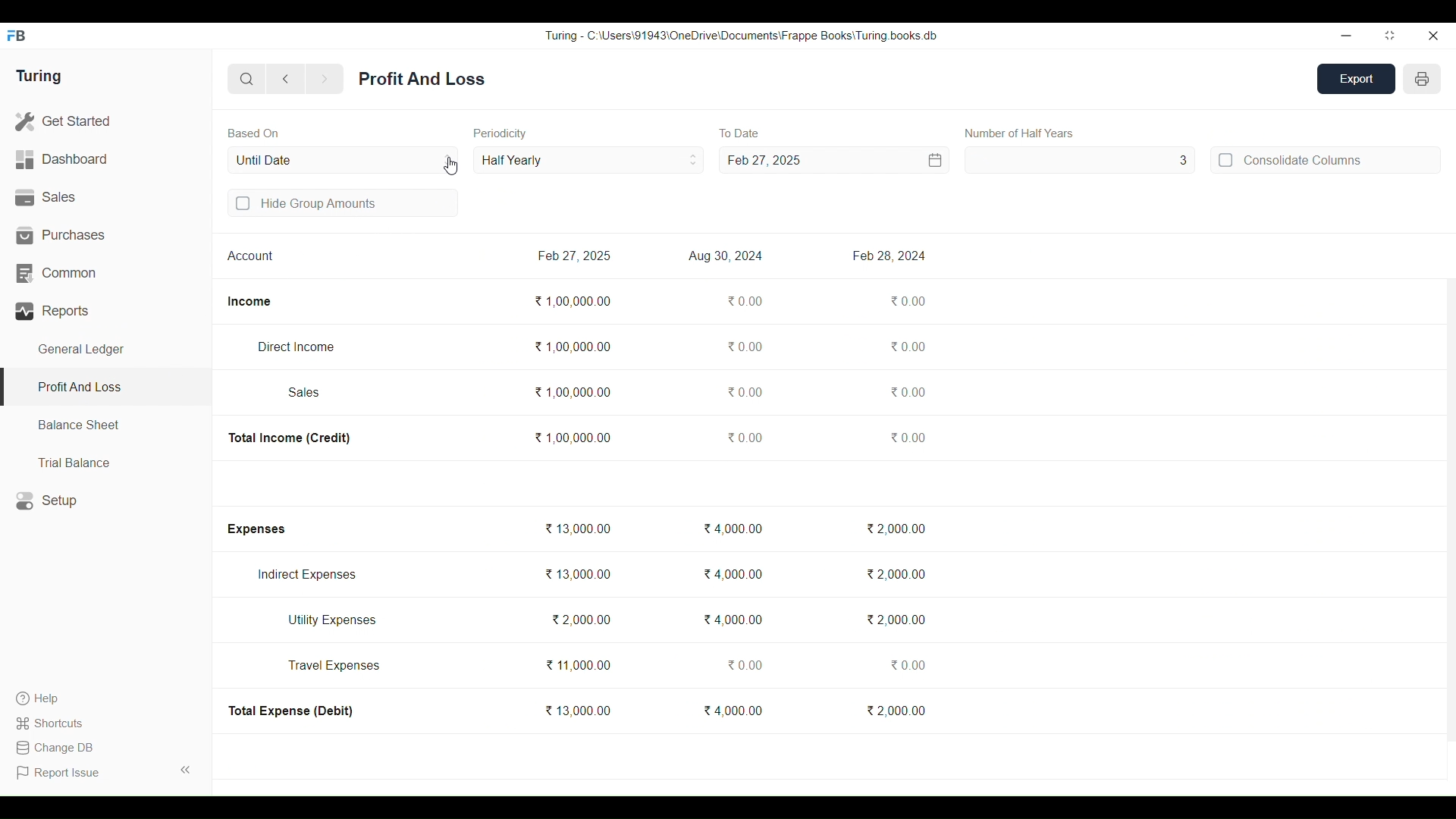 This screenshot has width=1456, height=819. Describe the element at coordinates (247, 79) in the screenshot. I see `Search` at that location.